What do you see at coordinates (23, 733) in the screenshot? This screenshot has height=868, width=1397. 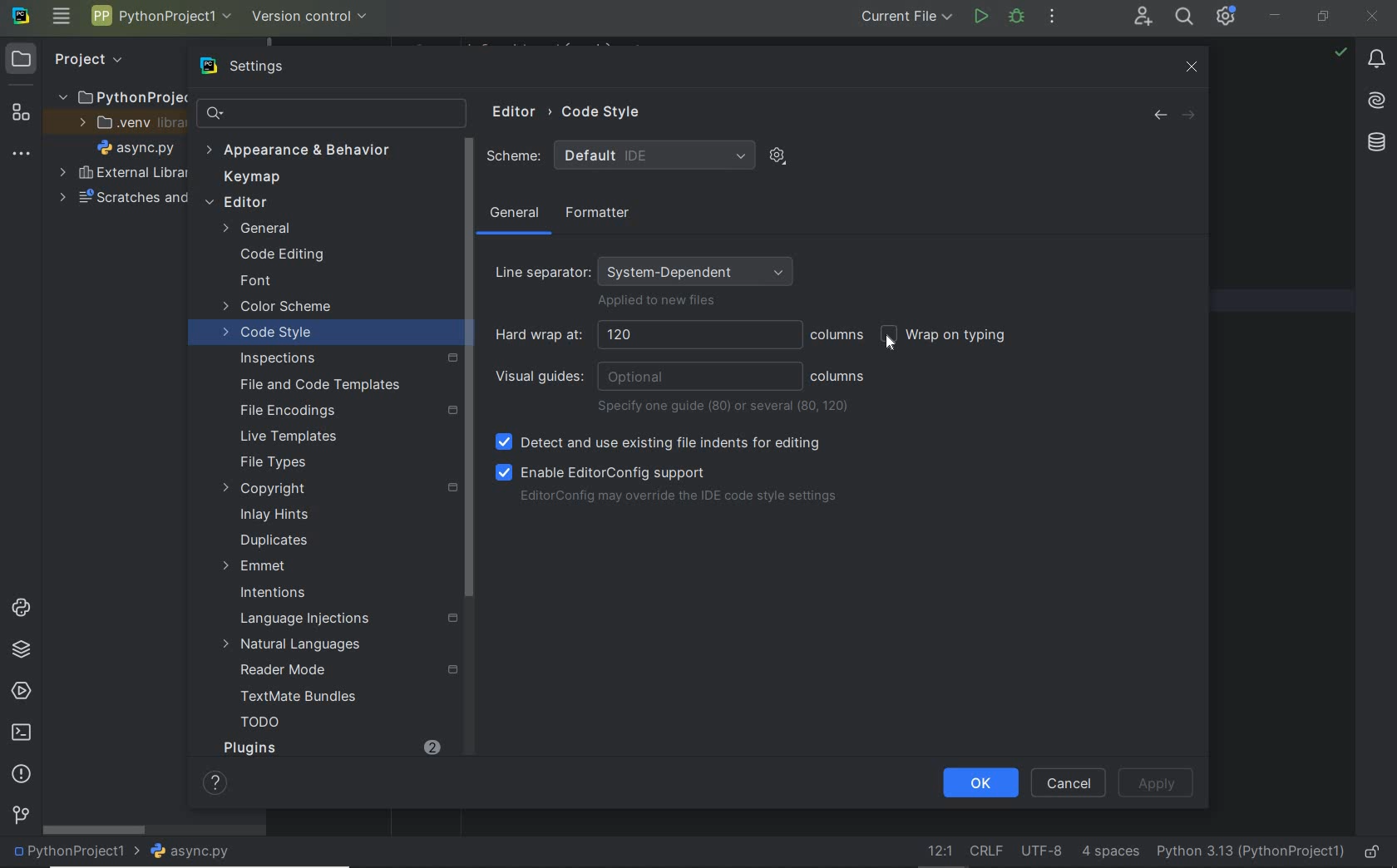 I see `terminal` at bounding box center [23, 733].